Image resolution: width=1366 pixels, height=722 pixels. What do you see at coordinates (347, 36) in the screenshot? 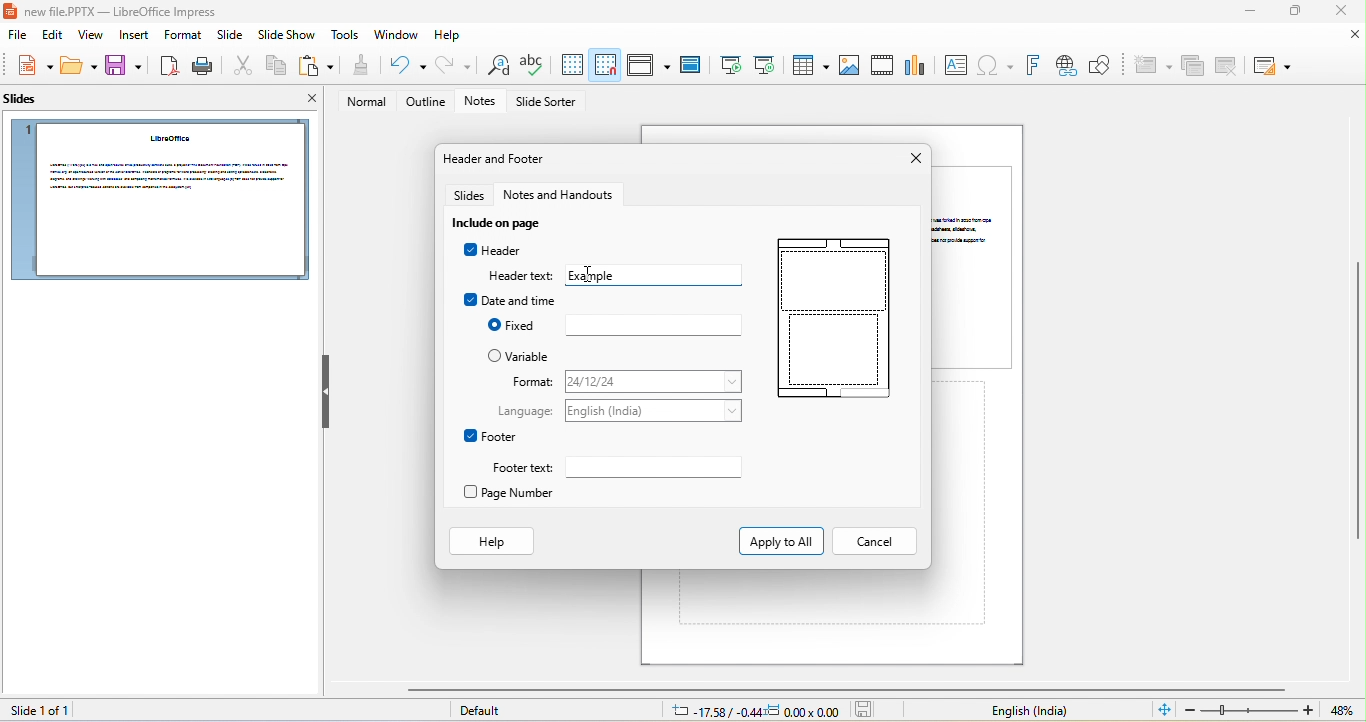
I see `tools` at bounding box center [347, 36].